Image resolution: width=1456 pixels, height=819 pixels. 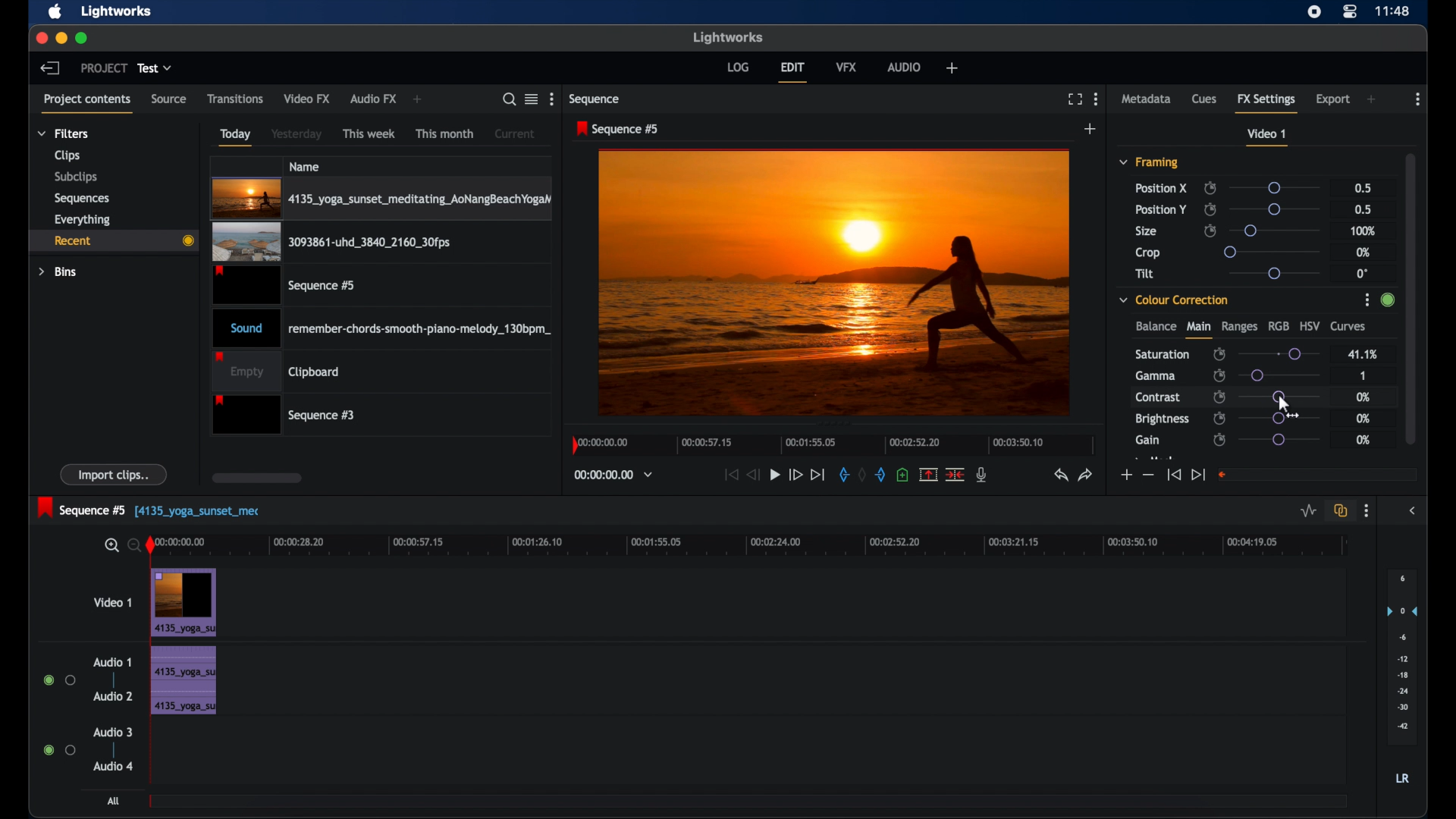 What do you see at coordinates (1155, 327) in the screenshot?
I see `balance` at bounding box center [1155, 327].